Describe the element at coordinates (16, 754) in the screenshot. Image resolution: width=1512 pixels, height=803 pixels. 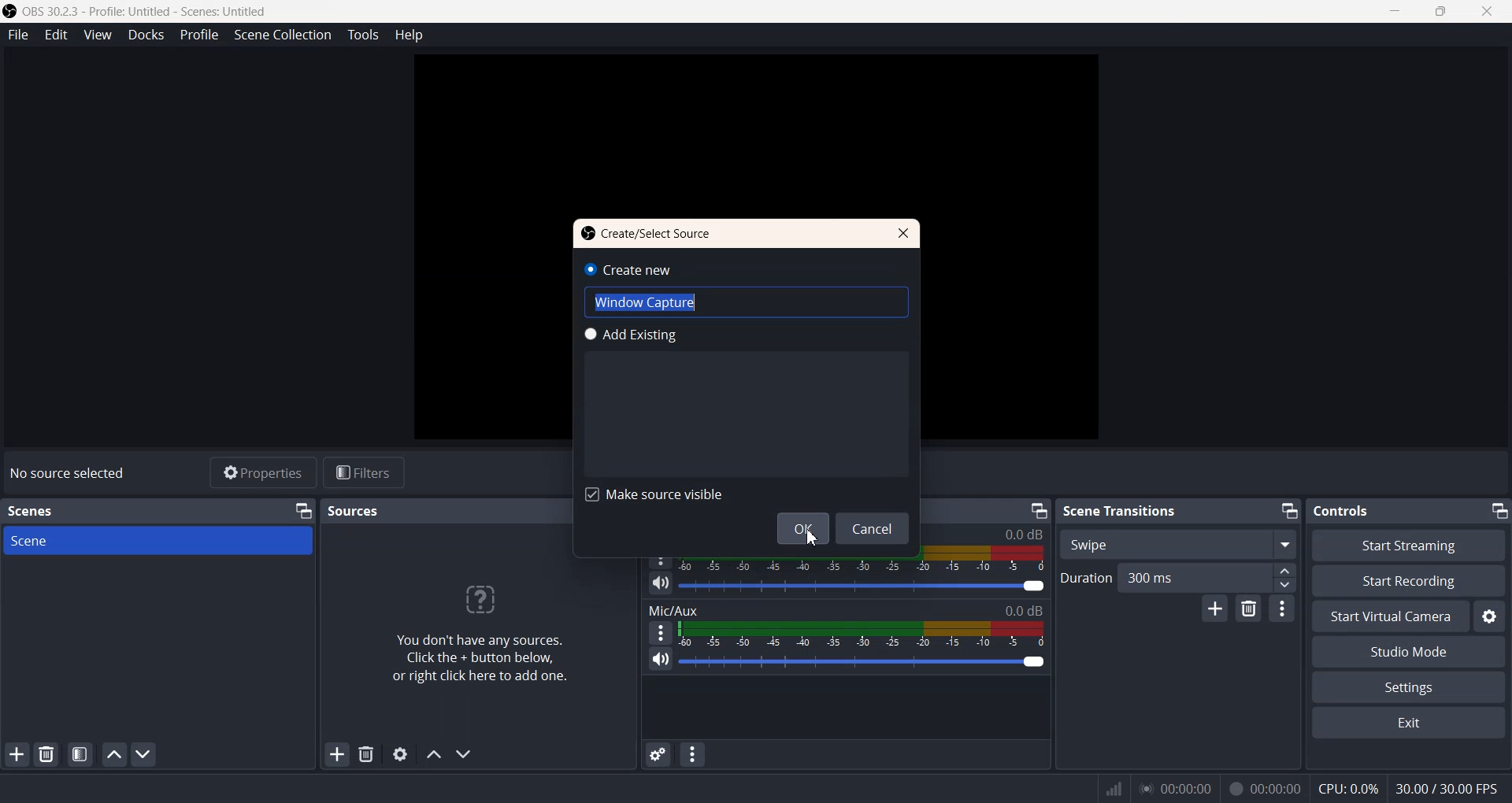
I see `Add Scene` at that location.